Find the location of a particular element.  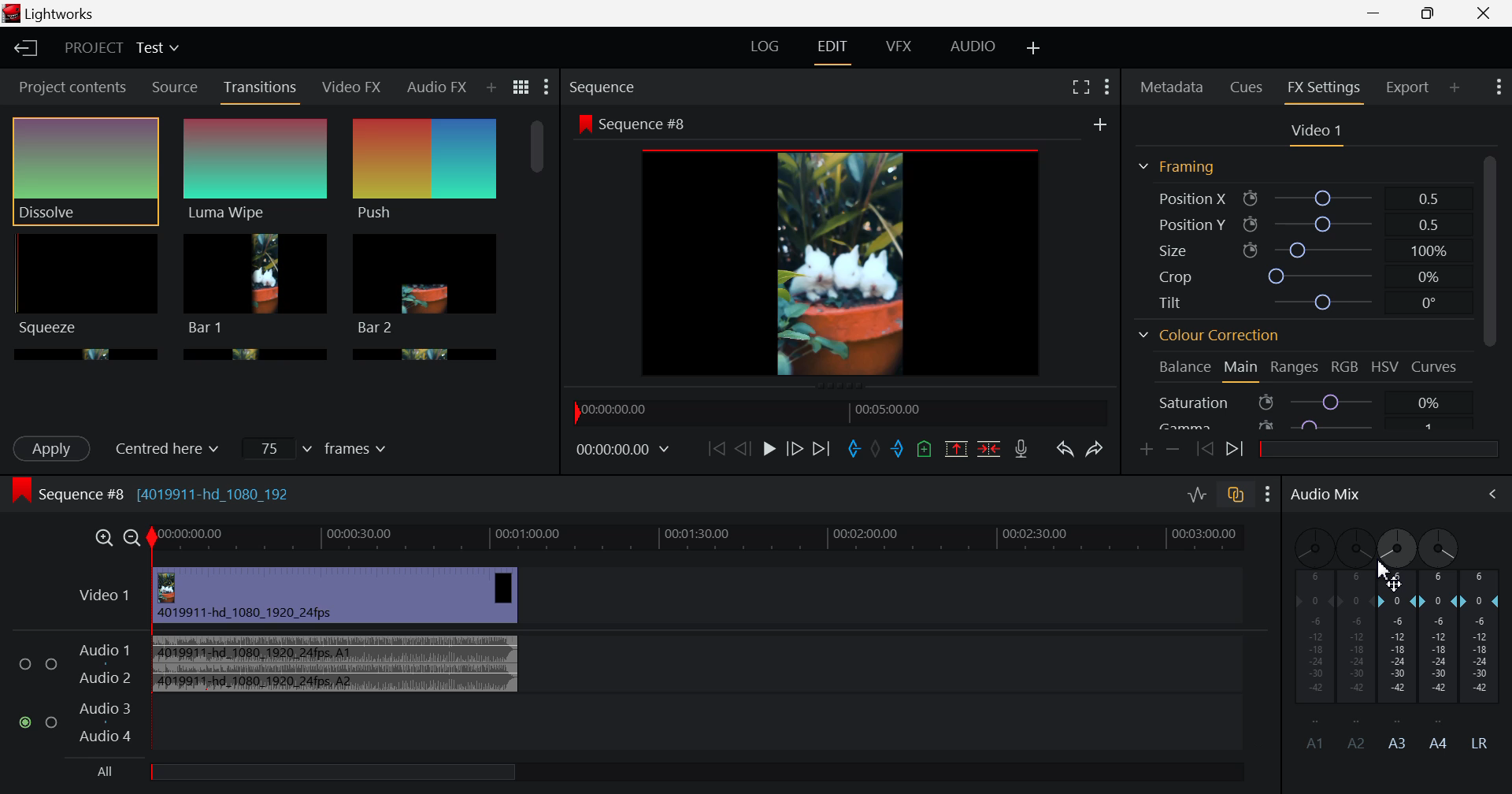

All is located at coordinates (313, 771).